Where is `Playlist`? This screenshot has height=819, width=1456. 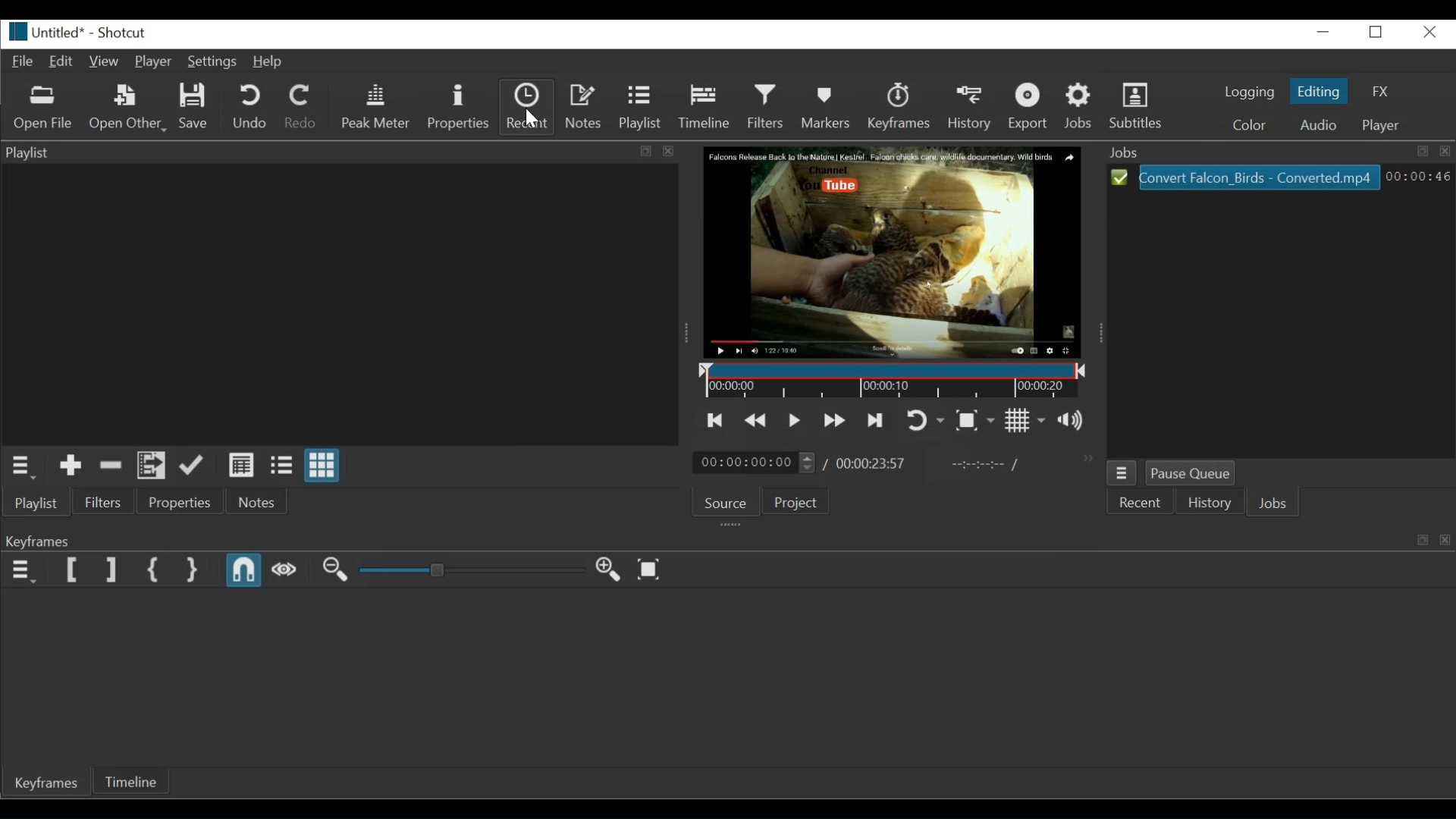
Playlist is located at coordinates (38, 504).